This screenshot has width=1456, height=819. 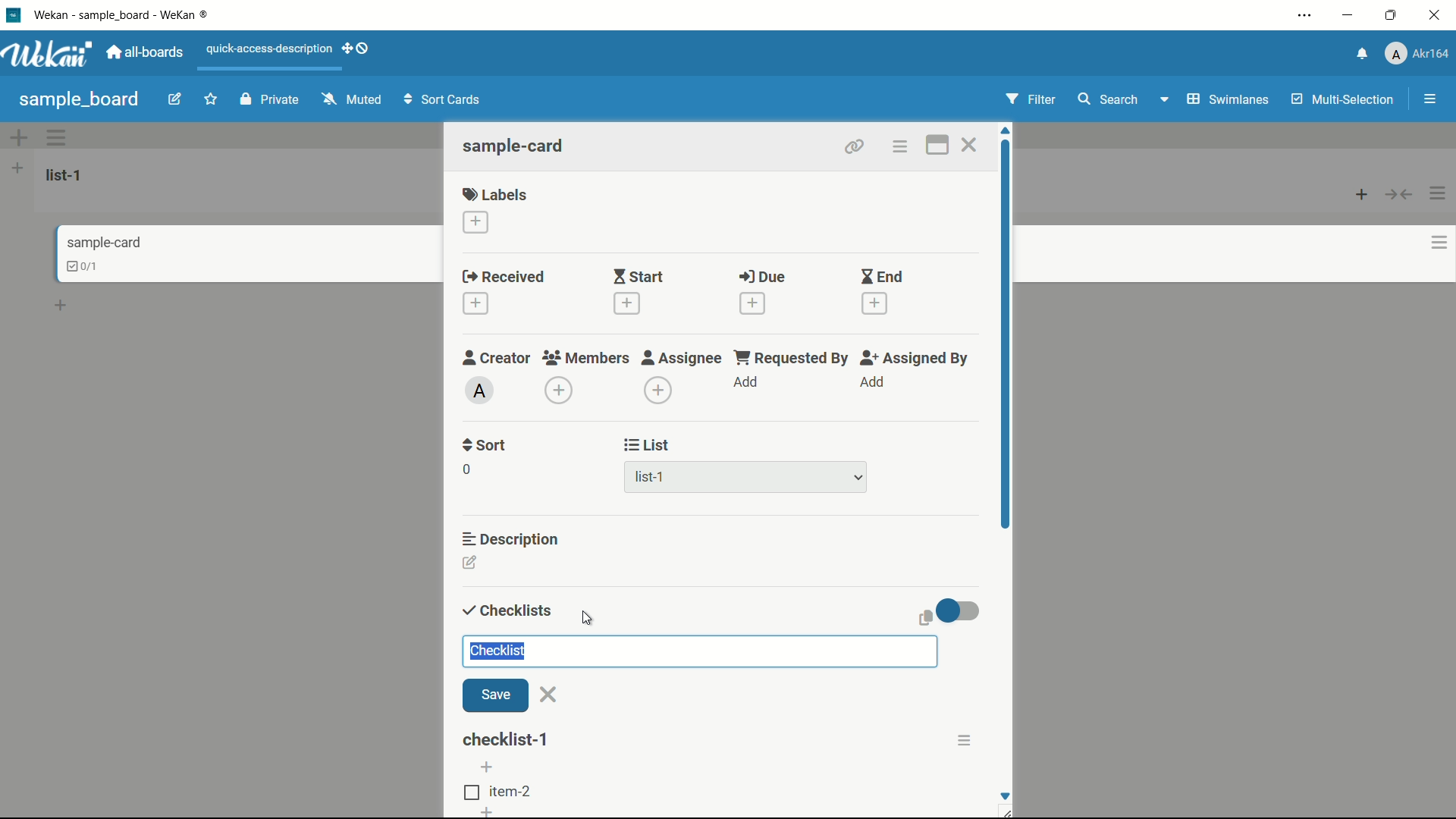 What do you see at coordinates (916, 358) in the screenshot?
I see `assigned by` at bounding box center [916, 358].